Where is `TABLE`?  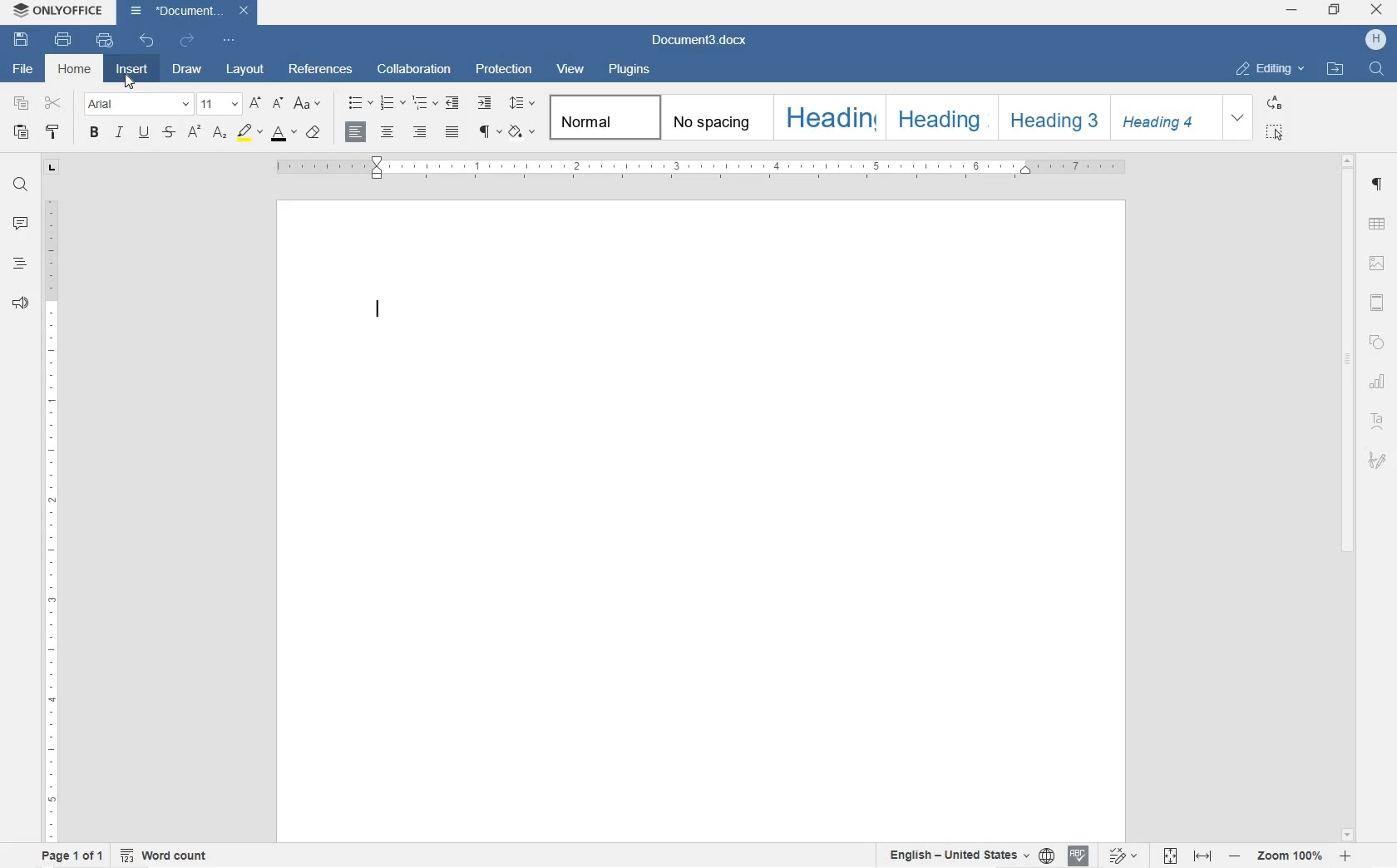 TABLE is located at coordinates (1376, 225).